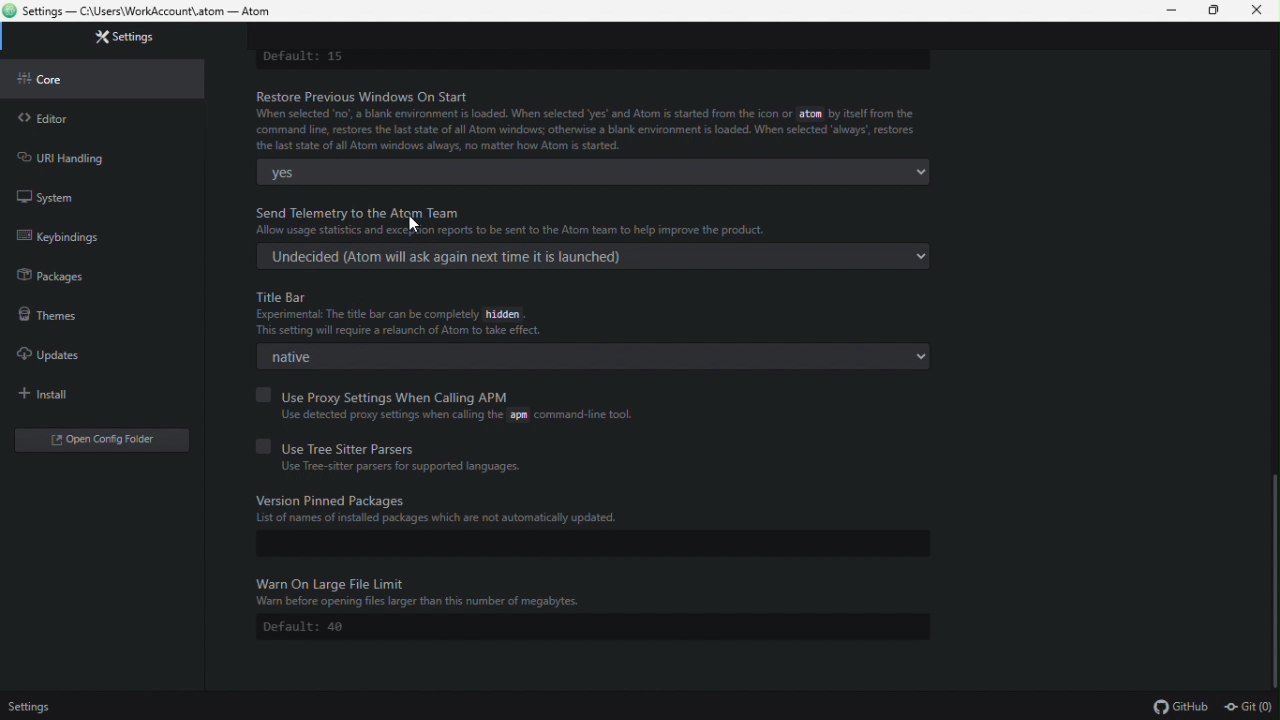  Describe the element at coordinates (113, 41) in the screenshot. I see `settings` at that location.